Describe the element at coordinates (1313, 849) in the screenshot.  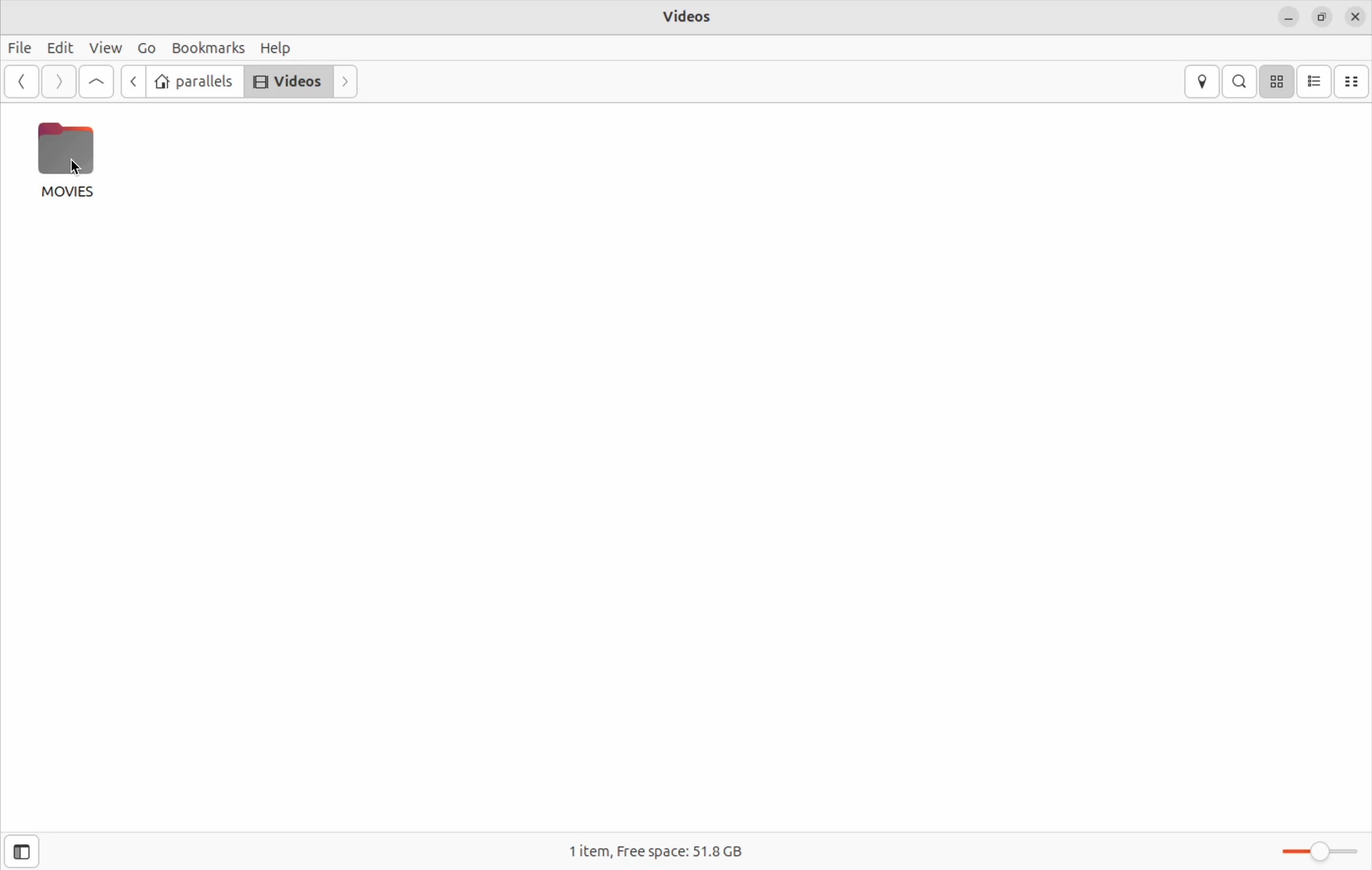
I see `toggle zoom bar` at that location.